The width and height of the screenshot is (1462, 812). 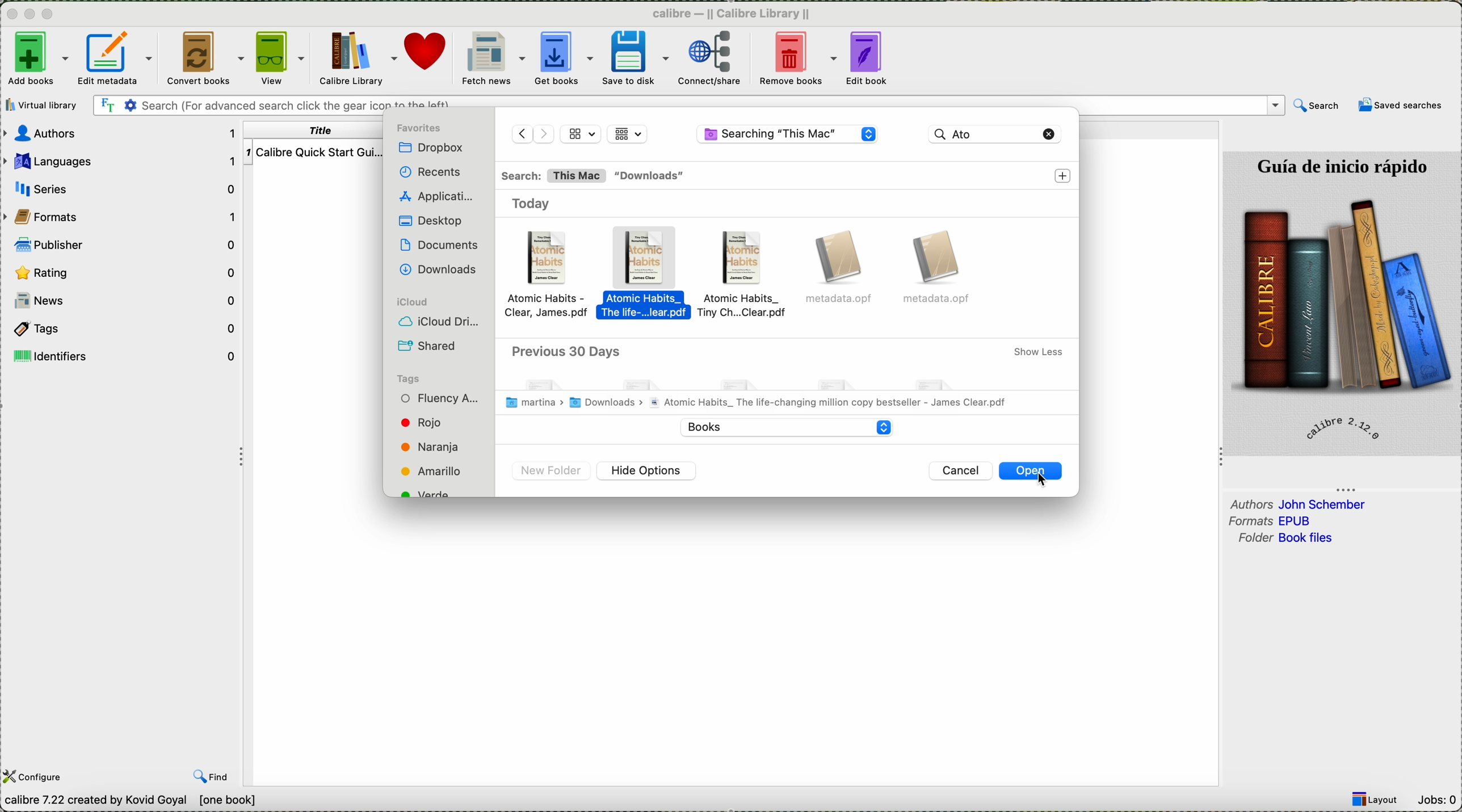 What do you see at coordinates (125, 329) in the screenshot?
I see `tags` at bounding box center [125, 329].